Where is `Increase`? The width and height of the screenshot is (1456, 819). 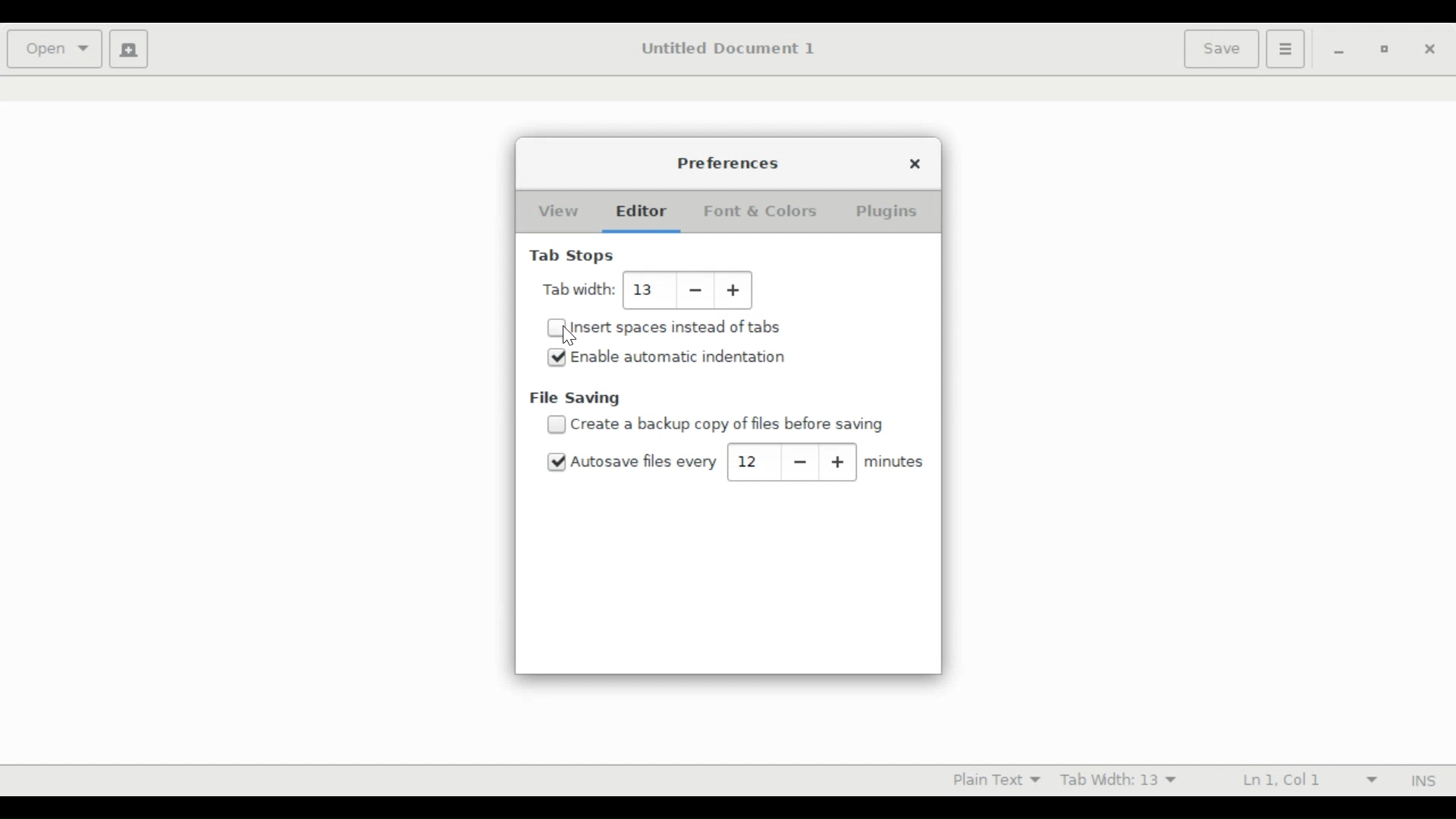 Increase is located at coordinates (839, 463).